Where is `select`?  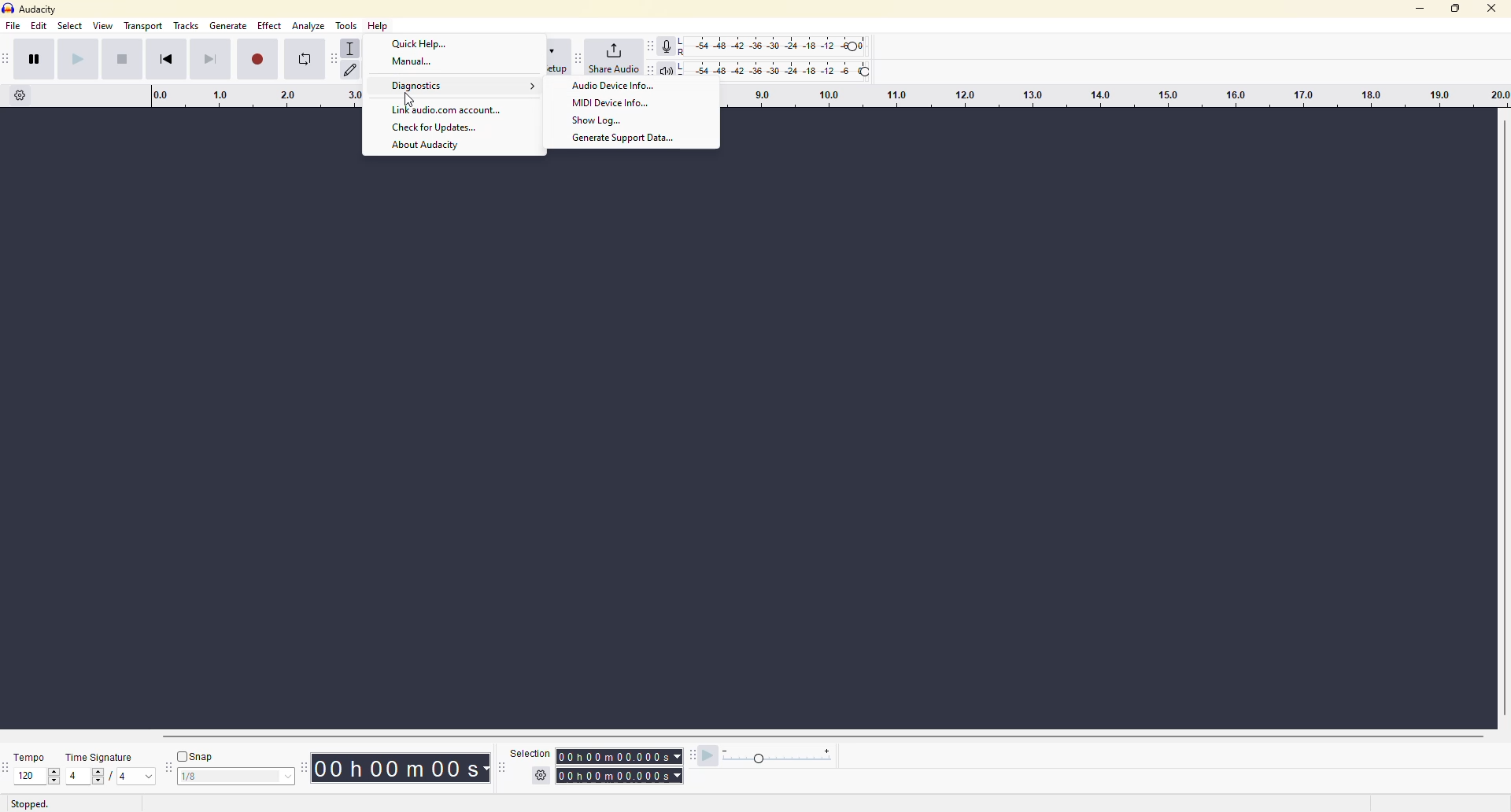 select is located at coordinates (68, 28).